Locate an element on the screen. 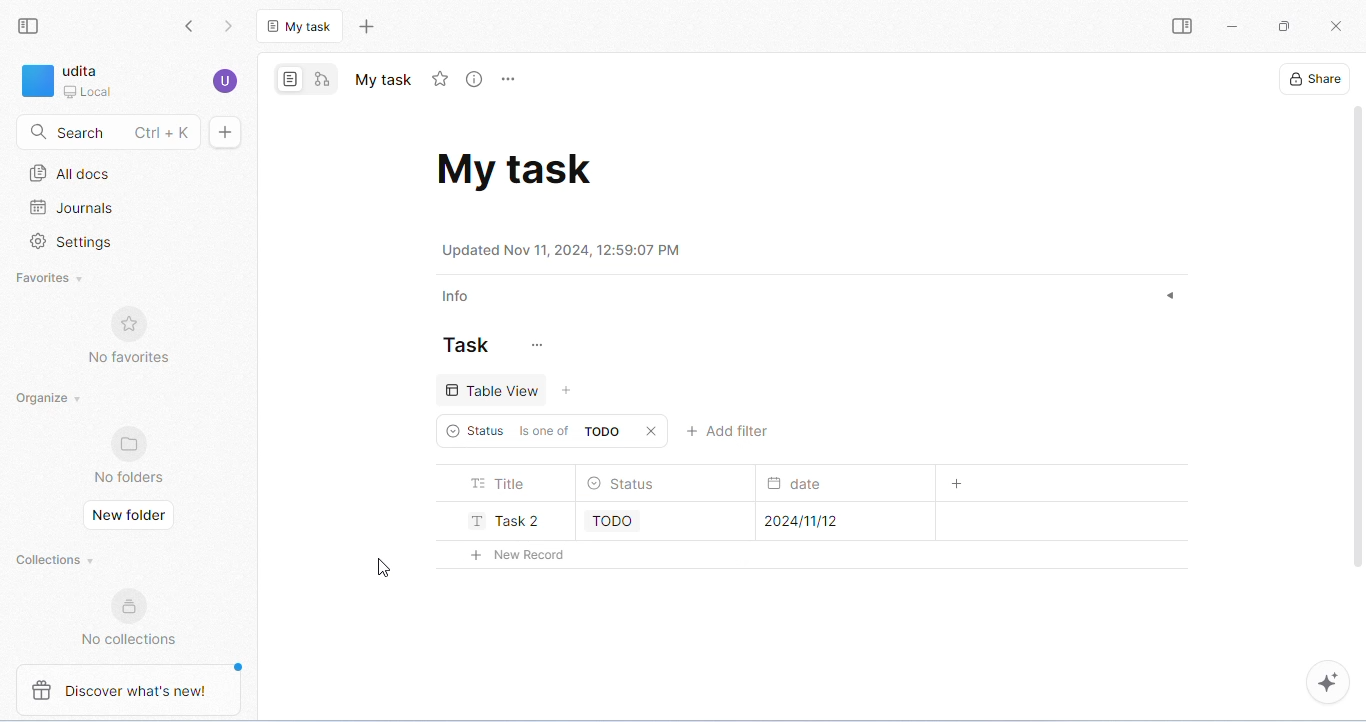  workspace is located at coordinates (67, 83).